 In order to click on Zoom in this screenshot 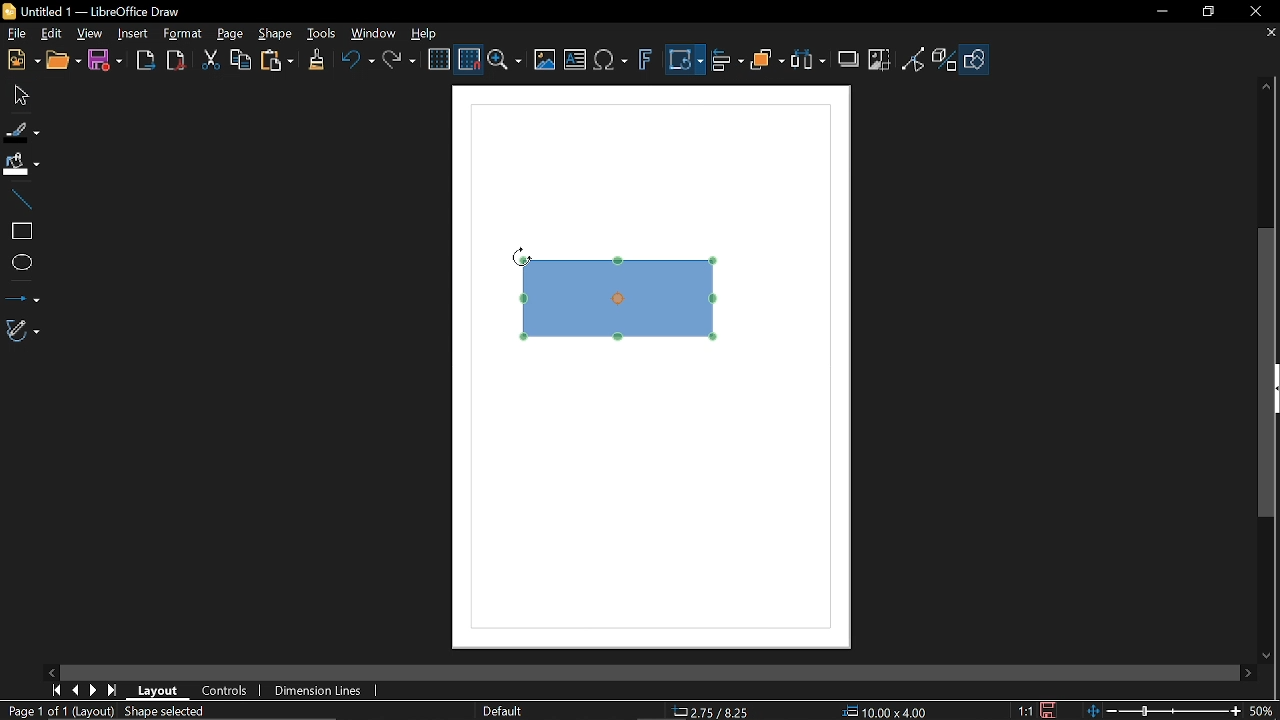, I will do `click(505, 61)`.